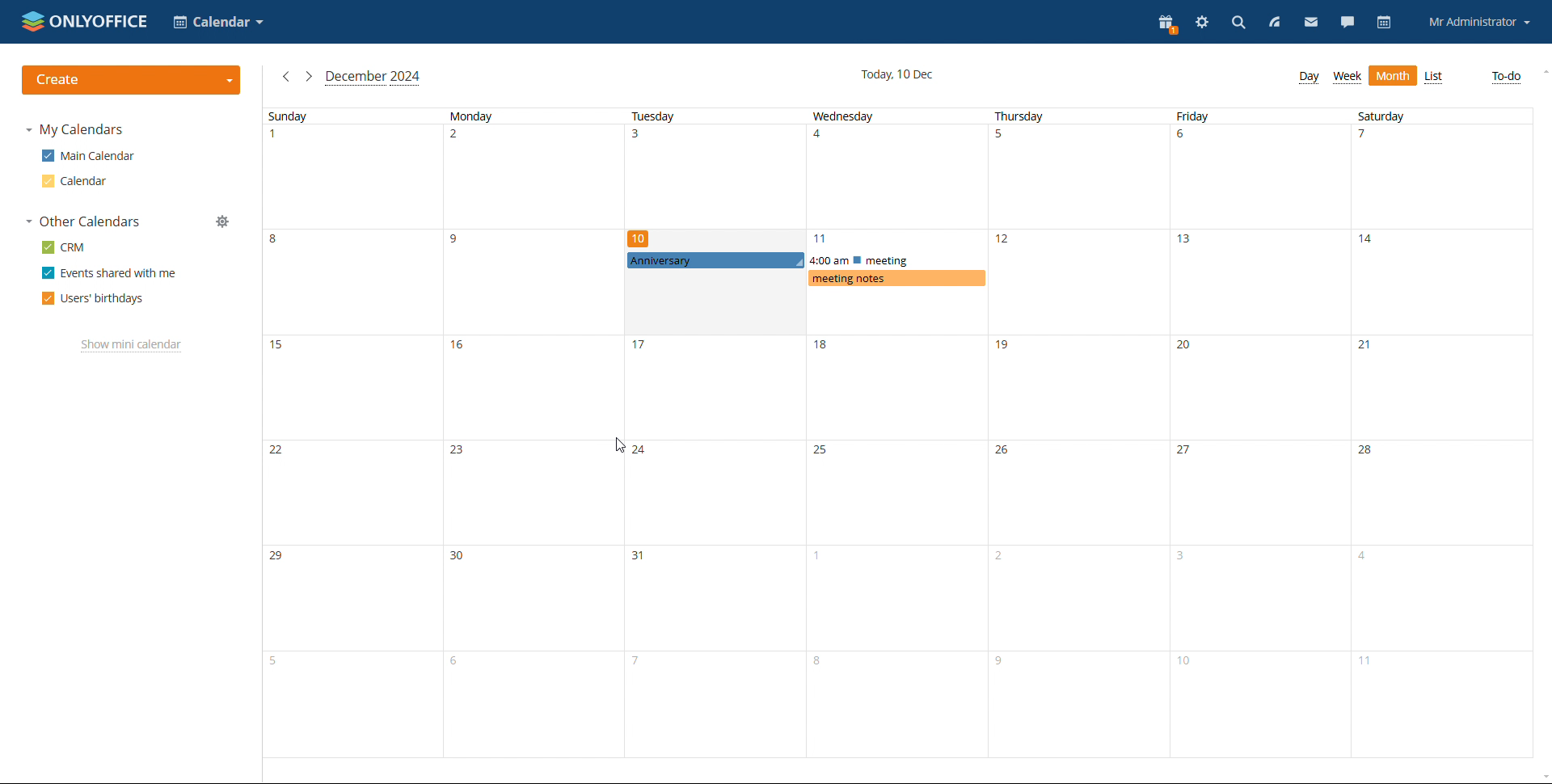  I want to click on scheduled events, so click(808, 259).